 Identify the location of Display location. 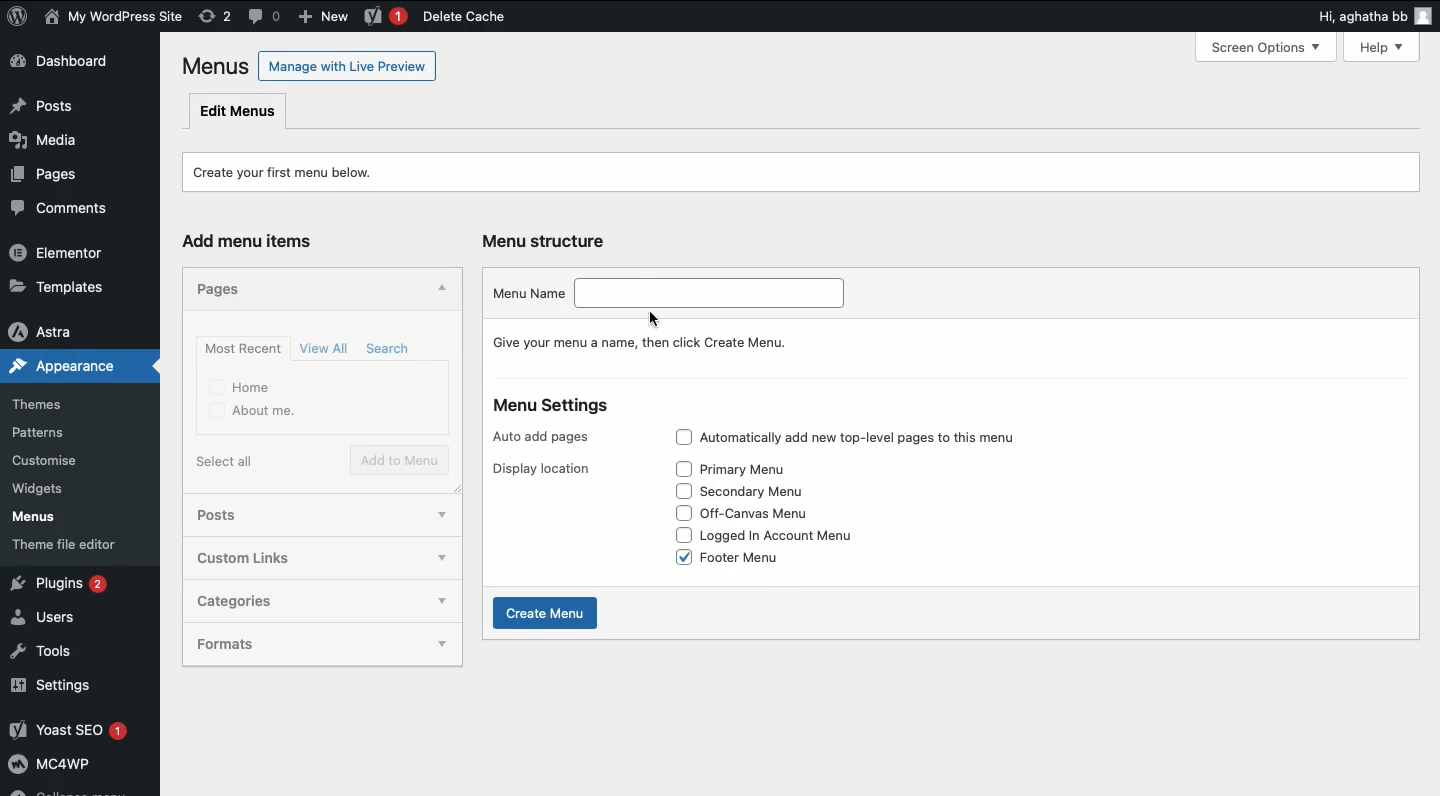
(542, 469).